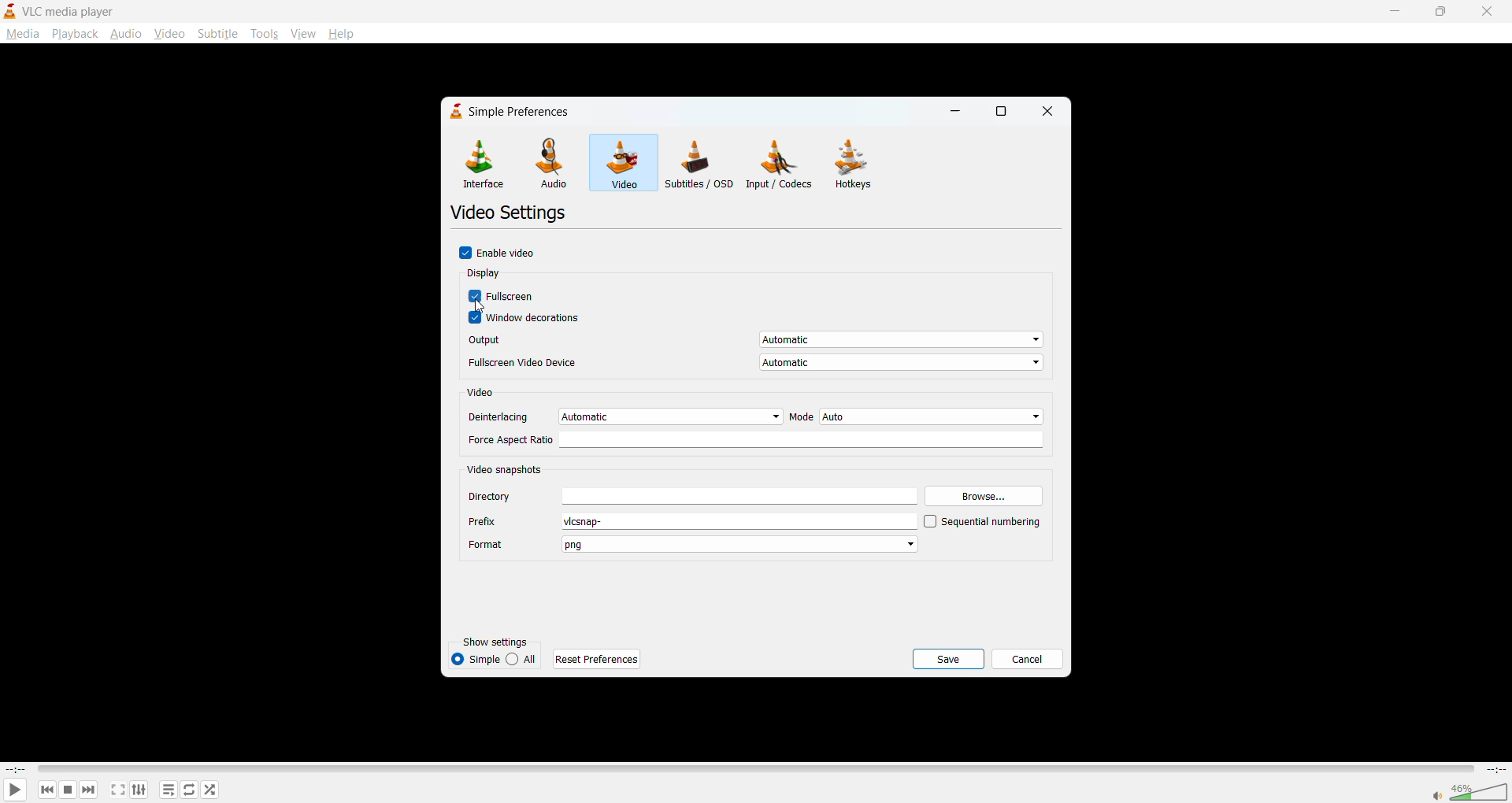 This screenshot has height=803, width=1512. Describe the element at coordinates (127, 35) in the screenshot. I see `audio` at that location.